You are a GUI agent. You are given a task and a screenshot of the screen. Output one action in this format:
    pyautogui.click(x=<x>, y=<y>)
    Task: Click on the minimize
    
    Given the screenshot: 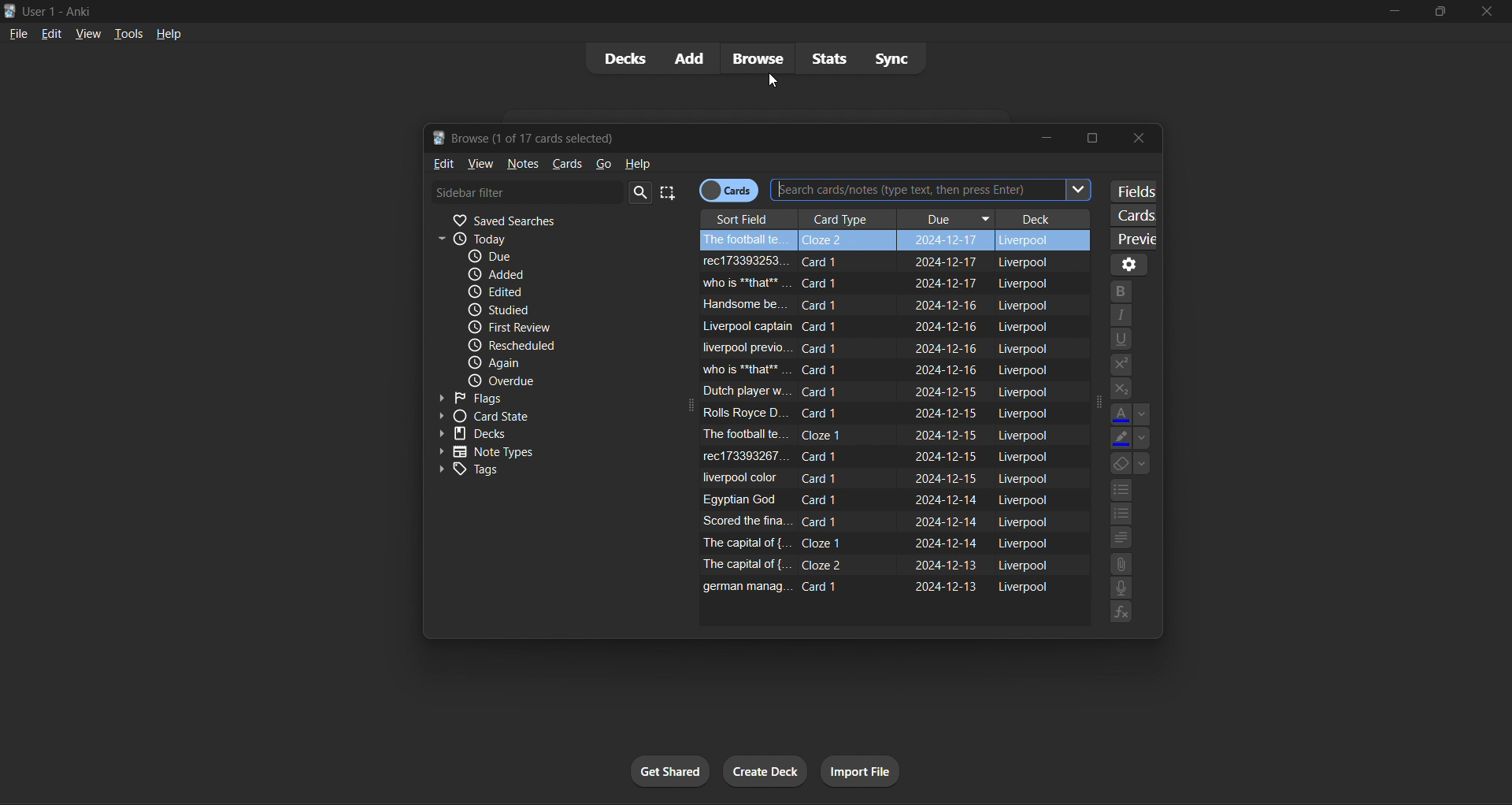 What is the action you would take?
    pyautogui.click(x=1057, y=137)
    